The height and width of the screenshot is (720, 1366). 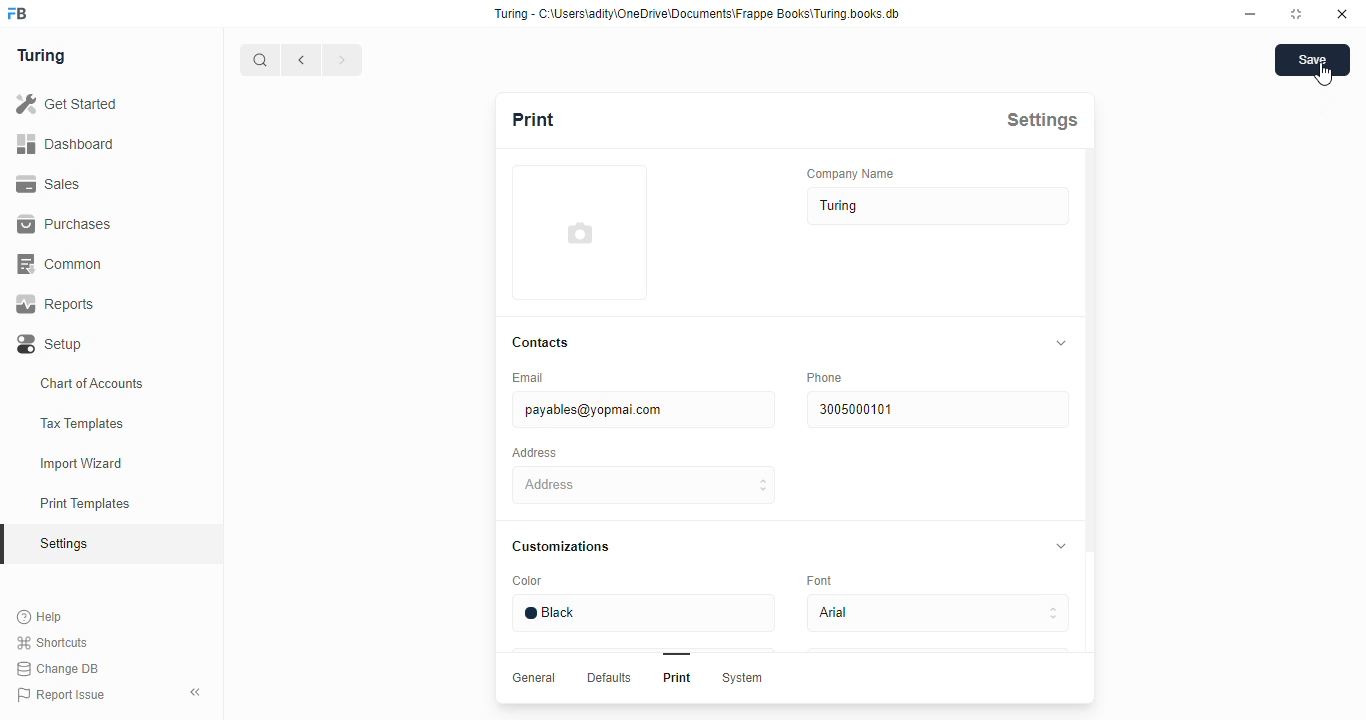 I want to click on Common, so click(x=108, y=262).